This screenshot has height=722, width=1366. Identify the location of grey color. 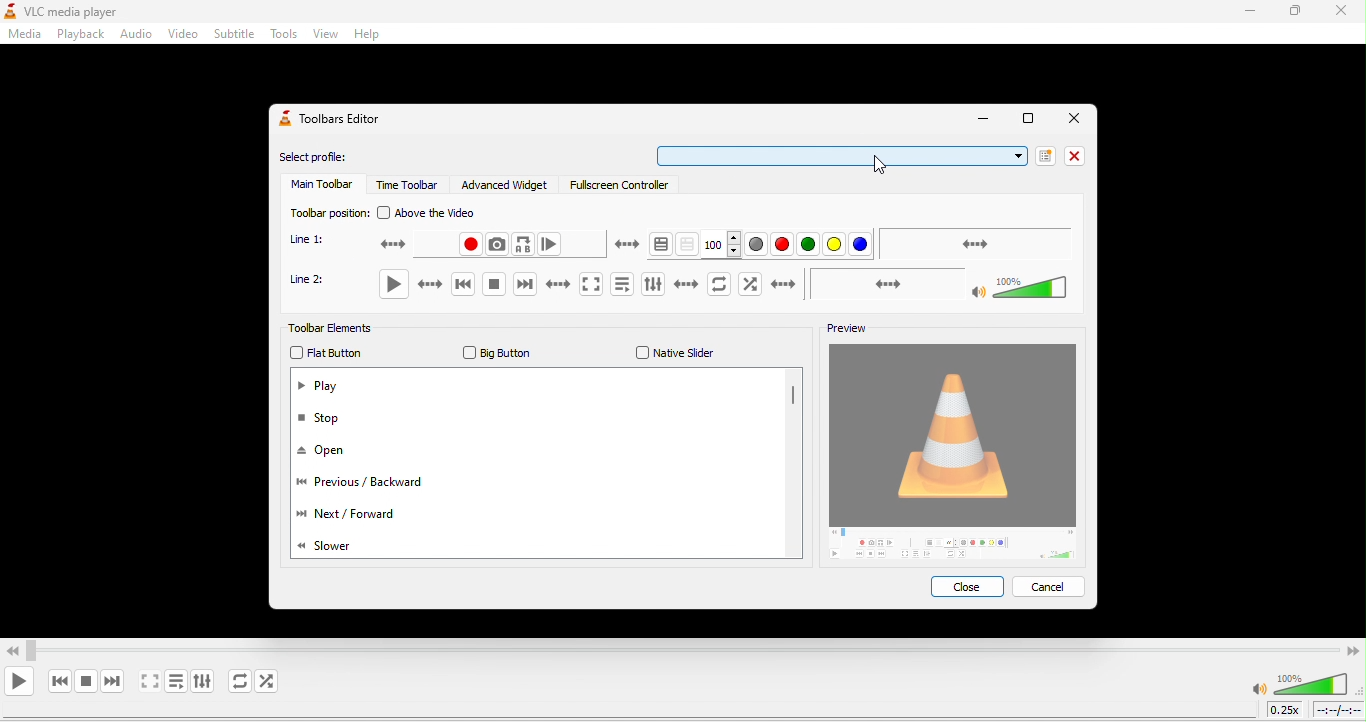
(755, 247).